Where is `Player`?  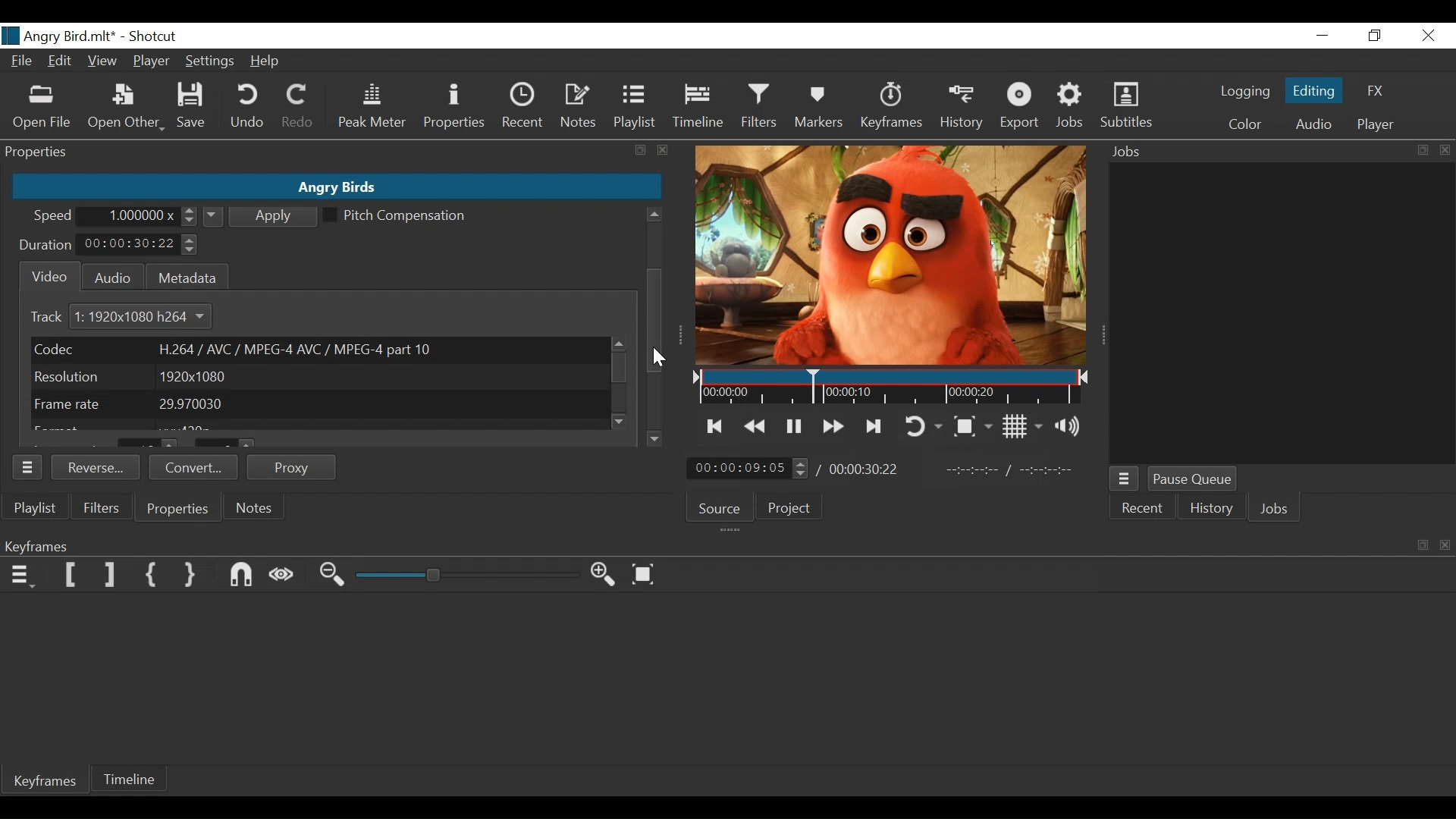
Player is located at coordinates (151, 61).